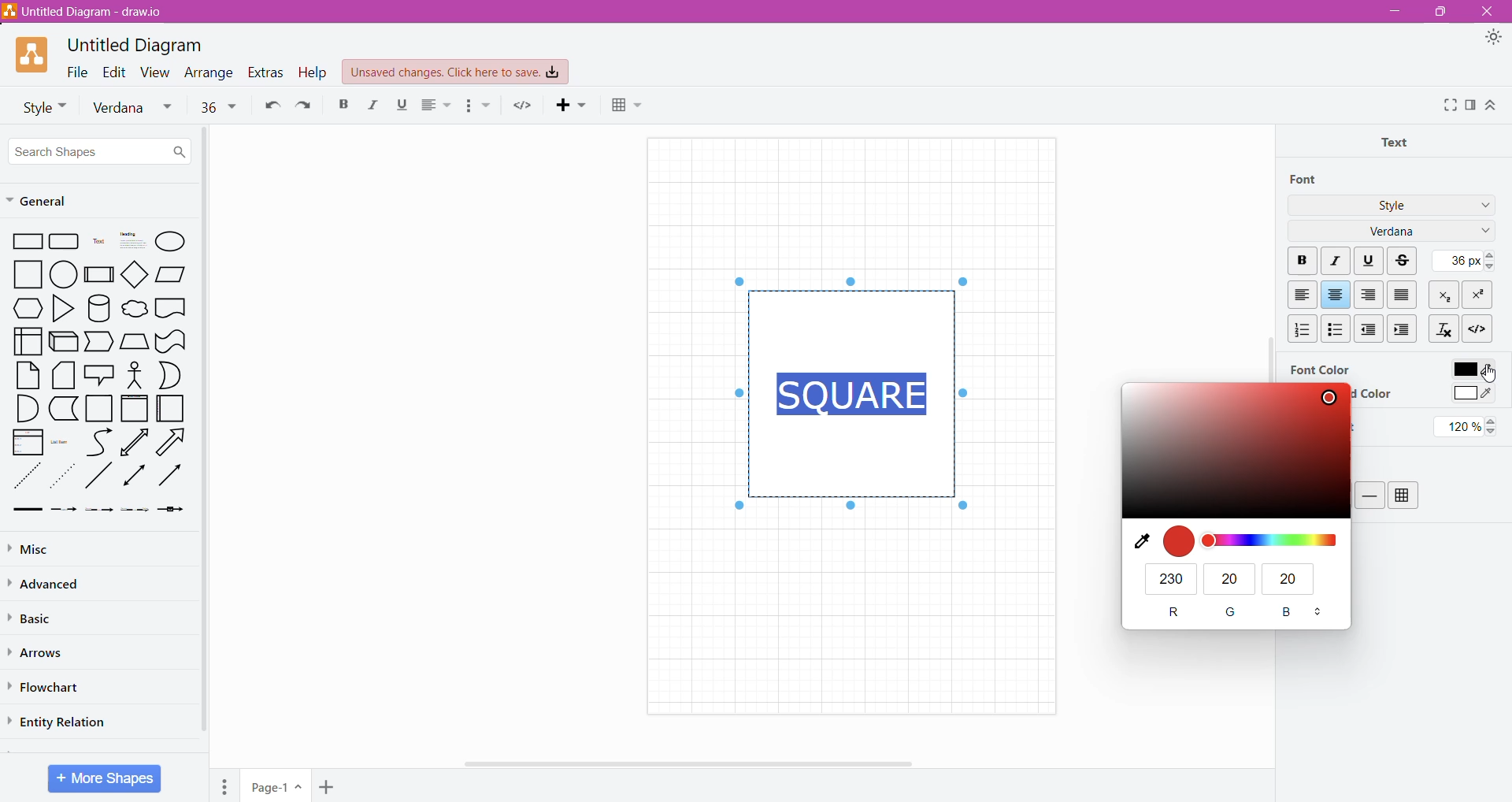  I want to click on Diamond, so click(135, 273).